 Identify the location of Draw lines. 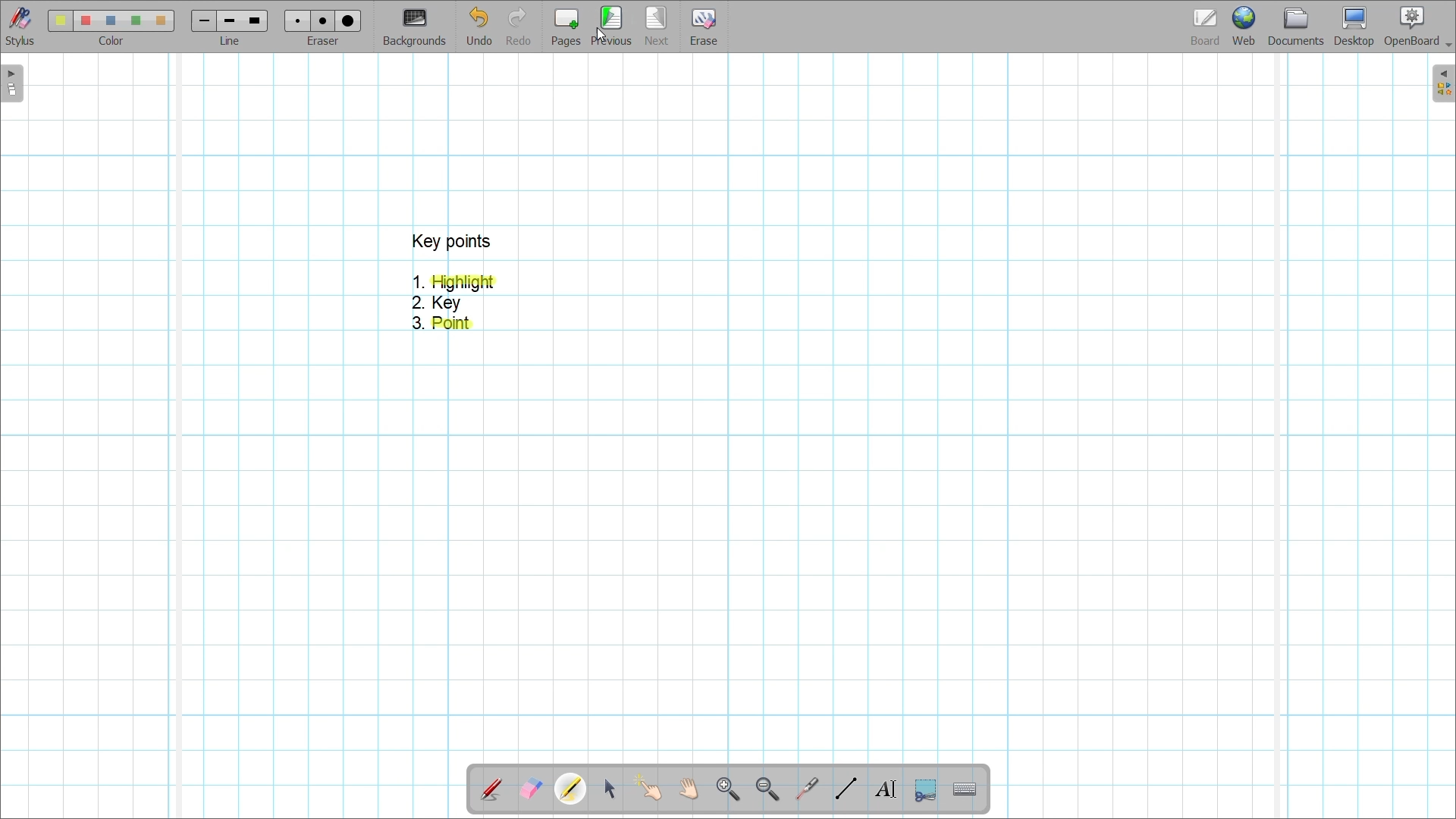
(846, 789).